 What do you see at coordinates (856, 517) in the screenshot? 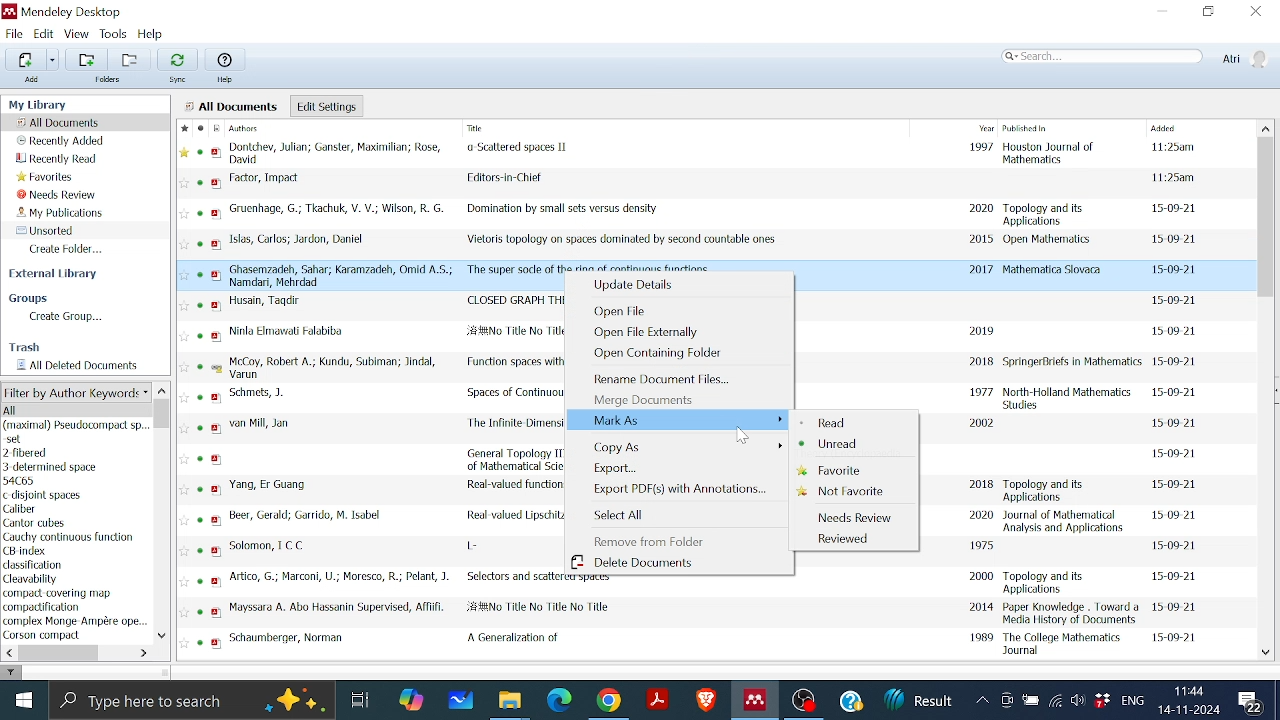
I see `Needs Review` at bounding box center [856, 517].